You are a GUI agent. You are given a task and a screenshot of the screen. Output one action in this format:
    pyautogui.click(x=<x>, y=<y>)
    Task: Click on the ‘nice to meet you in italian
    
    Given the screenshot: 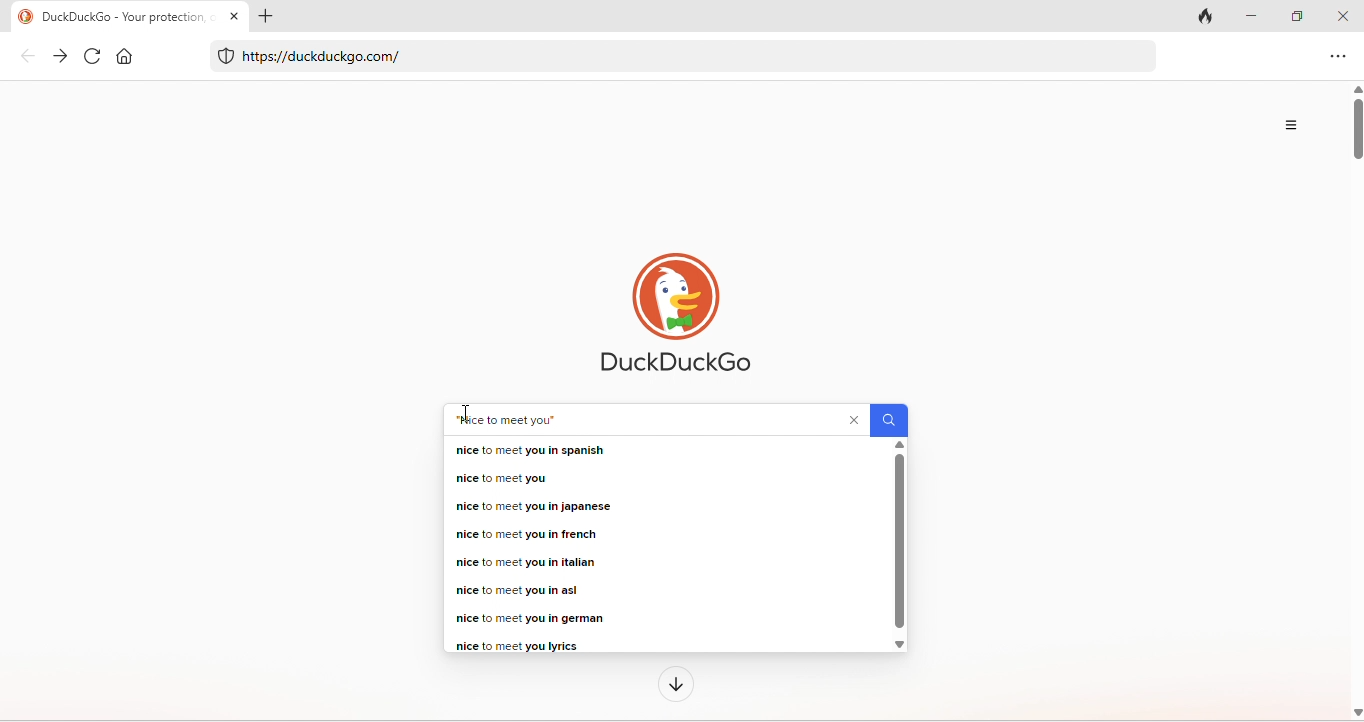 What is the action you would take?
    pyautogui.click(x=524, y=563)
    